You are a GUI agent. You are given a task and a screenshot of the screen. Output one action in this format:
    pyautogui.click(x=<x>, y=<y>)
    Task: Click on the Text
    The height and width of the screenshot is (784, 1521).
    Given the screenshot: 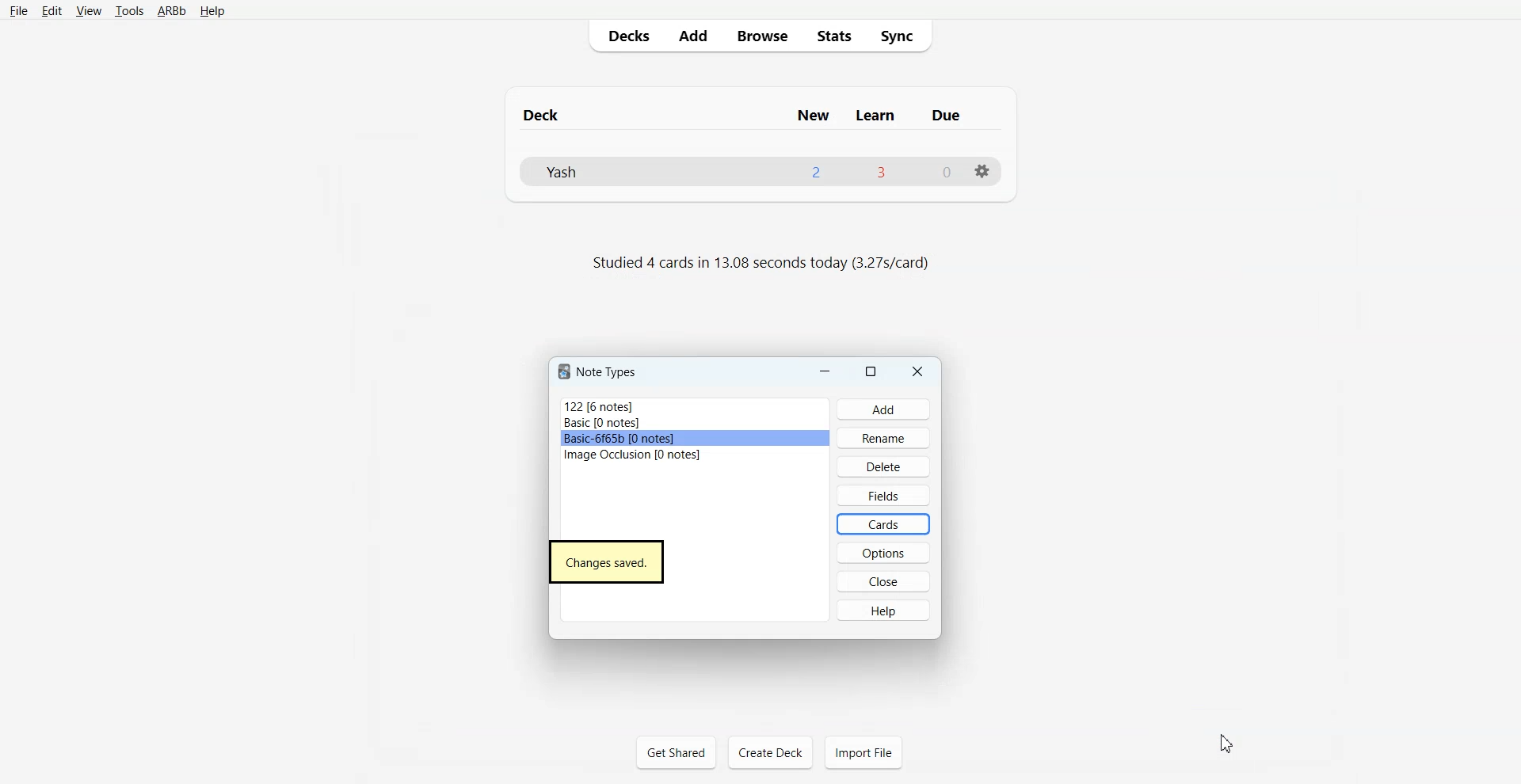 What is the action you would take?
    pyautogui.click(x=760, y=108)
    